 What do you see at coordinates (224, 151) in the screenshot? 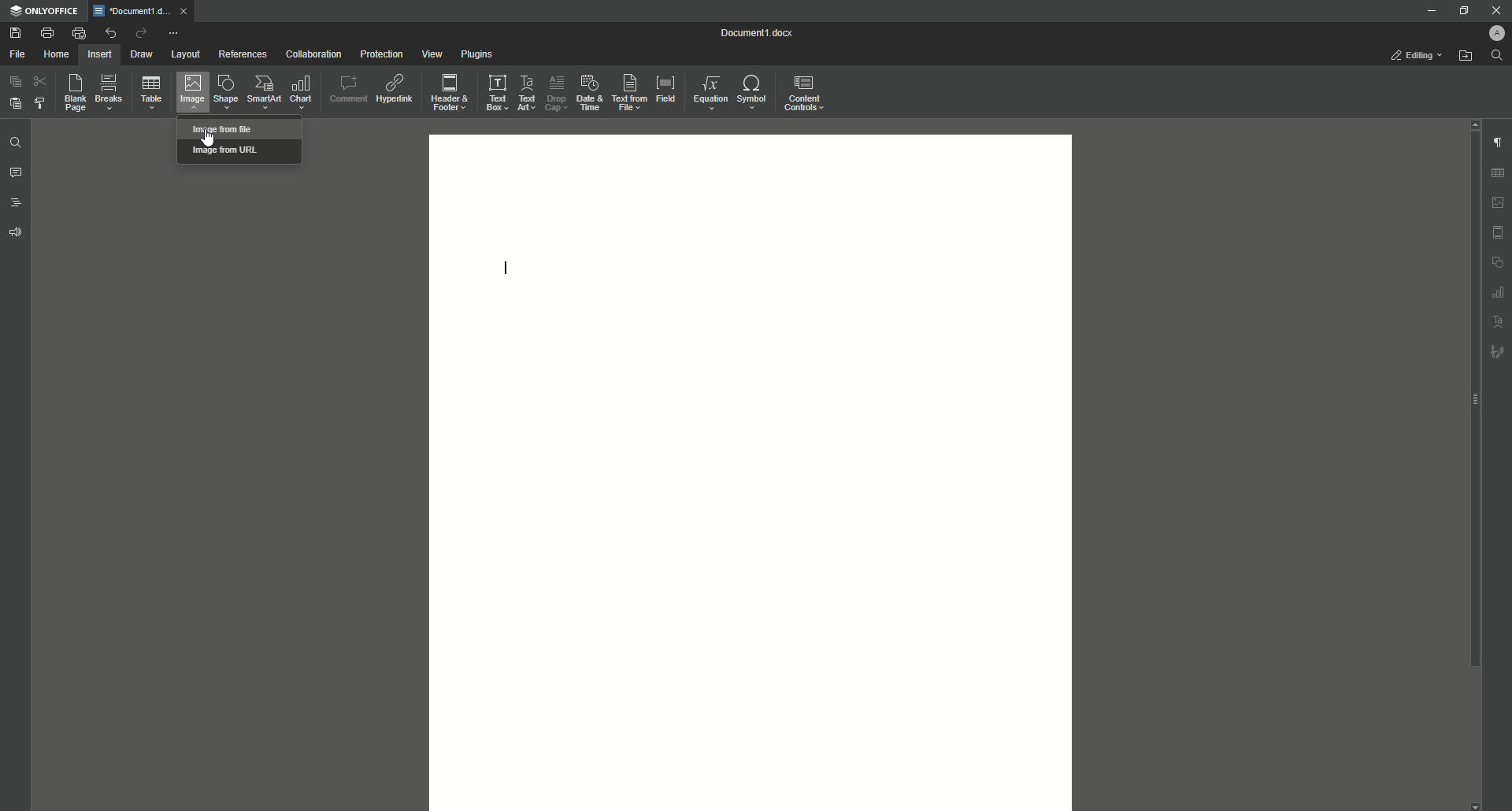
I see `Image from url` at bounding box center [224, 151].